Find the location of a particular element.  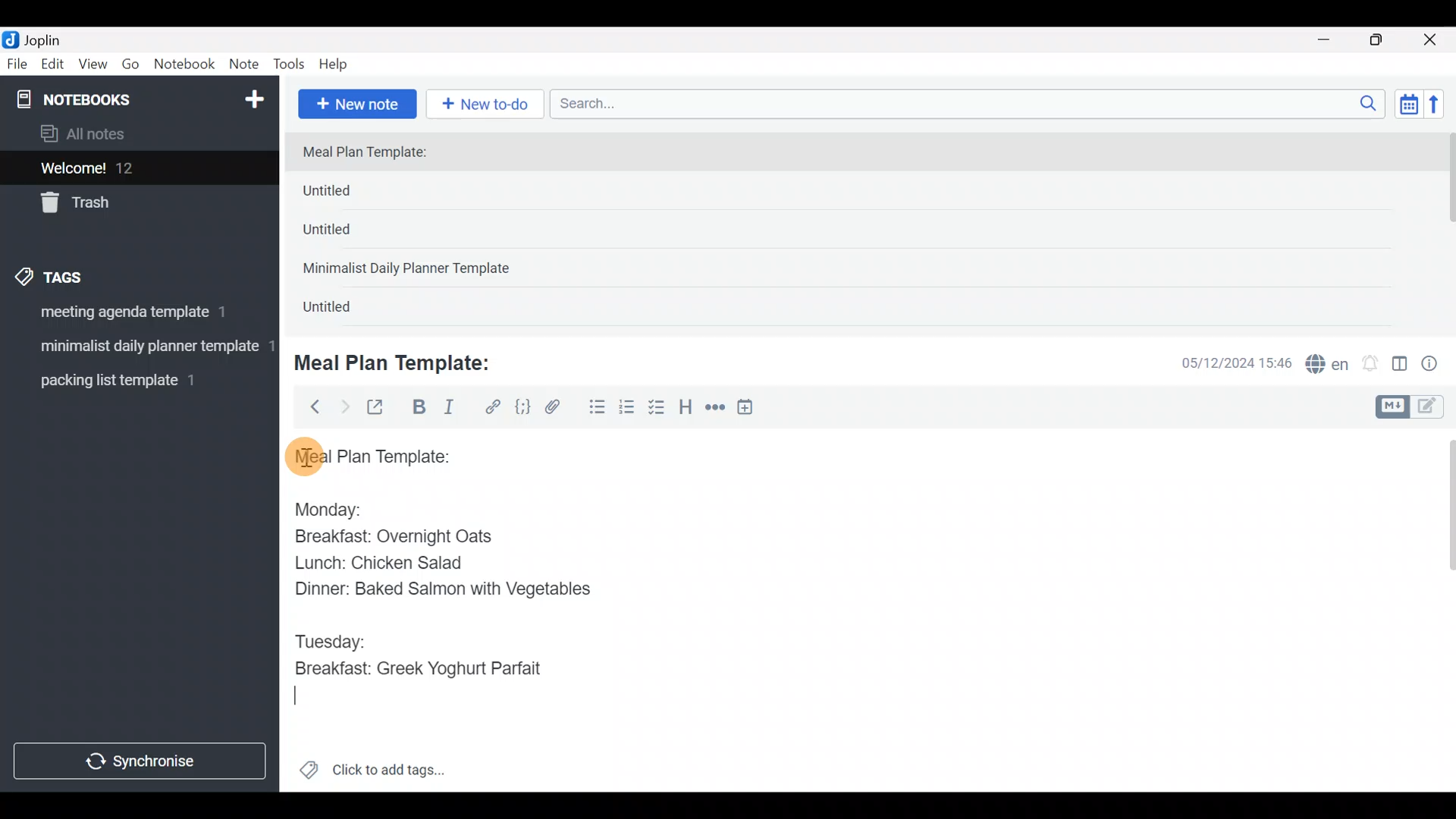

Code is located at coordinates (521, 406).